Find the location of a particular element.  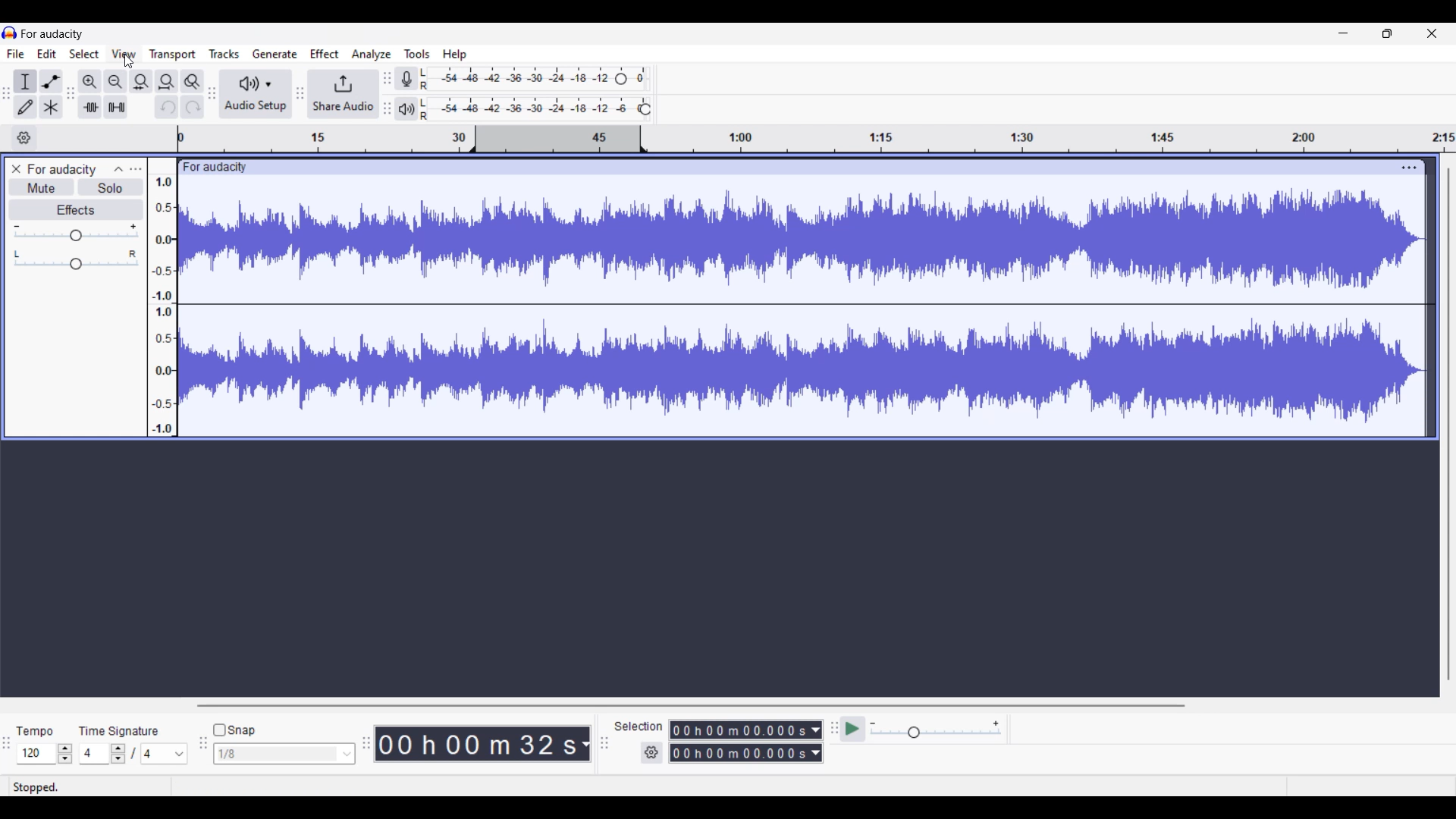

Snap toggle is located at coordinates (234, 730).